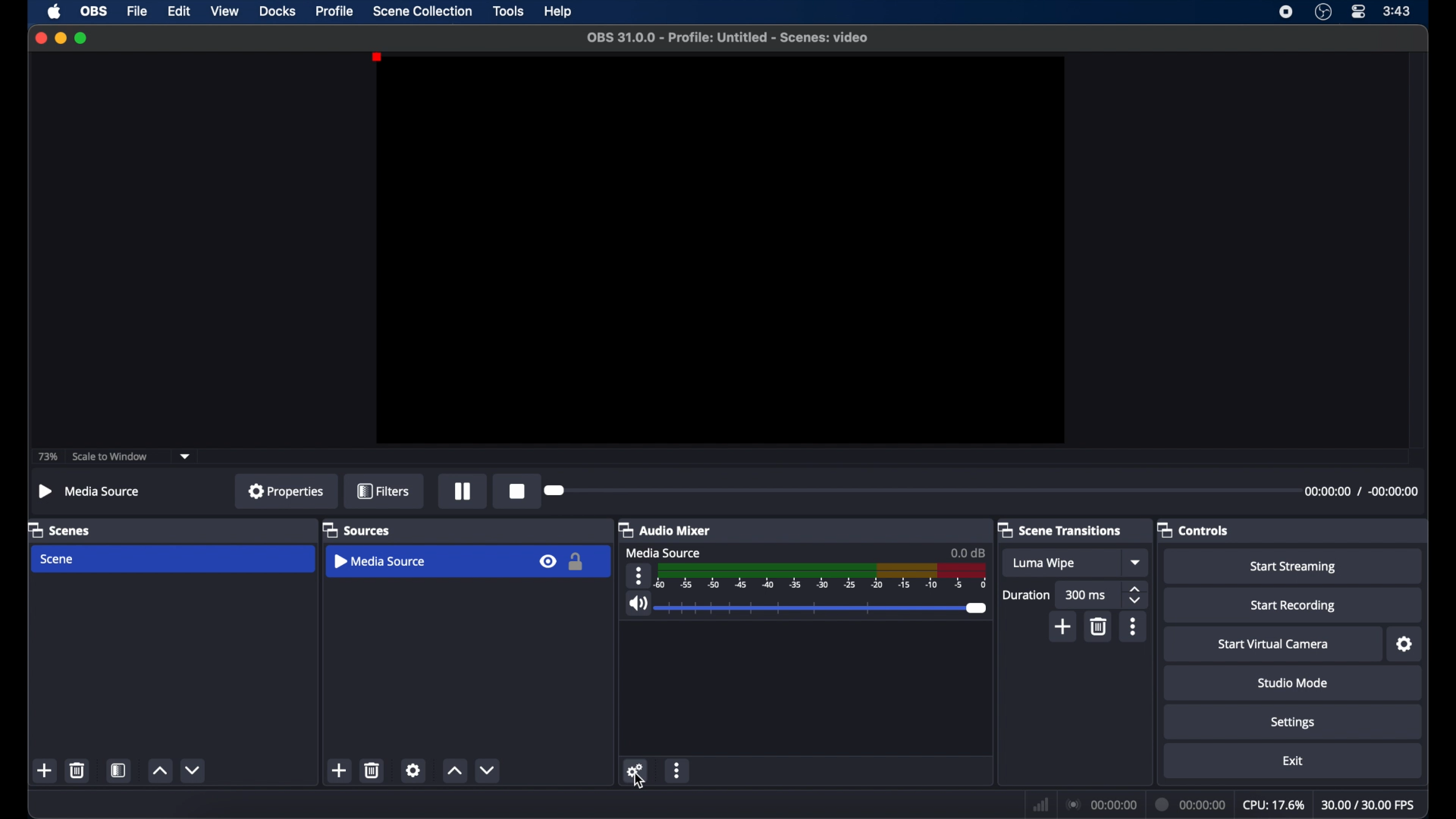  Describe the element at coordinates (41, 38) in the screenshot. I see `close` at that location.